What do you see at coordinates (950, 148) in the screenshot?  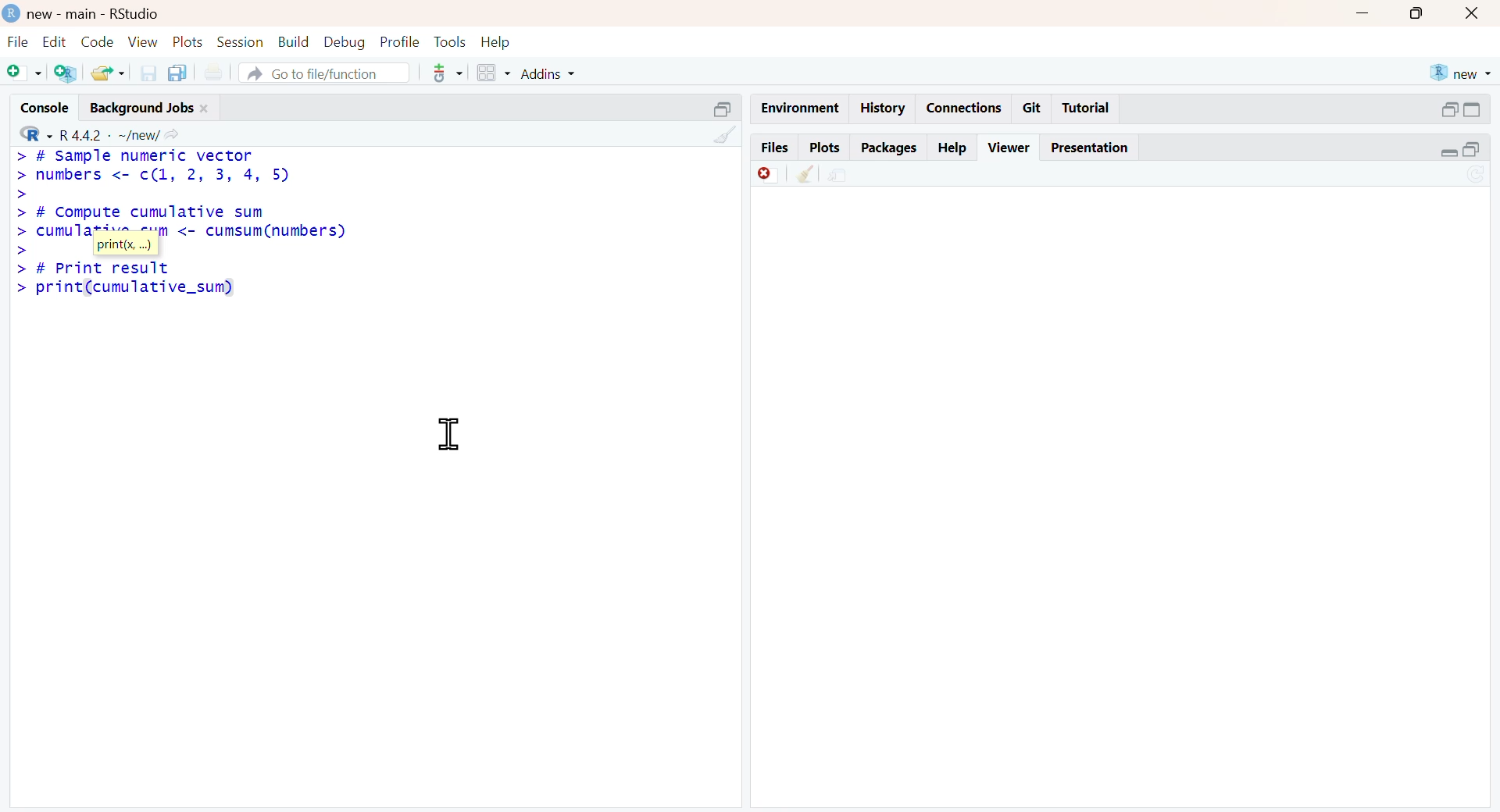 I see `Help` at bounding box center [950, 148].